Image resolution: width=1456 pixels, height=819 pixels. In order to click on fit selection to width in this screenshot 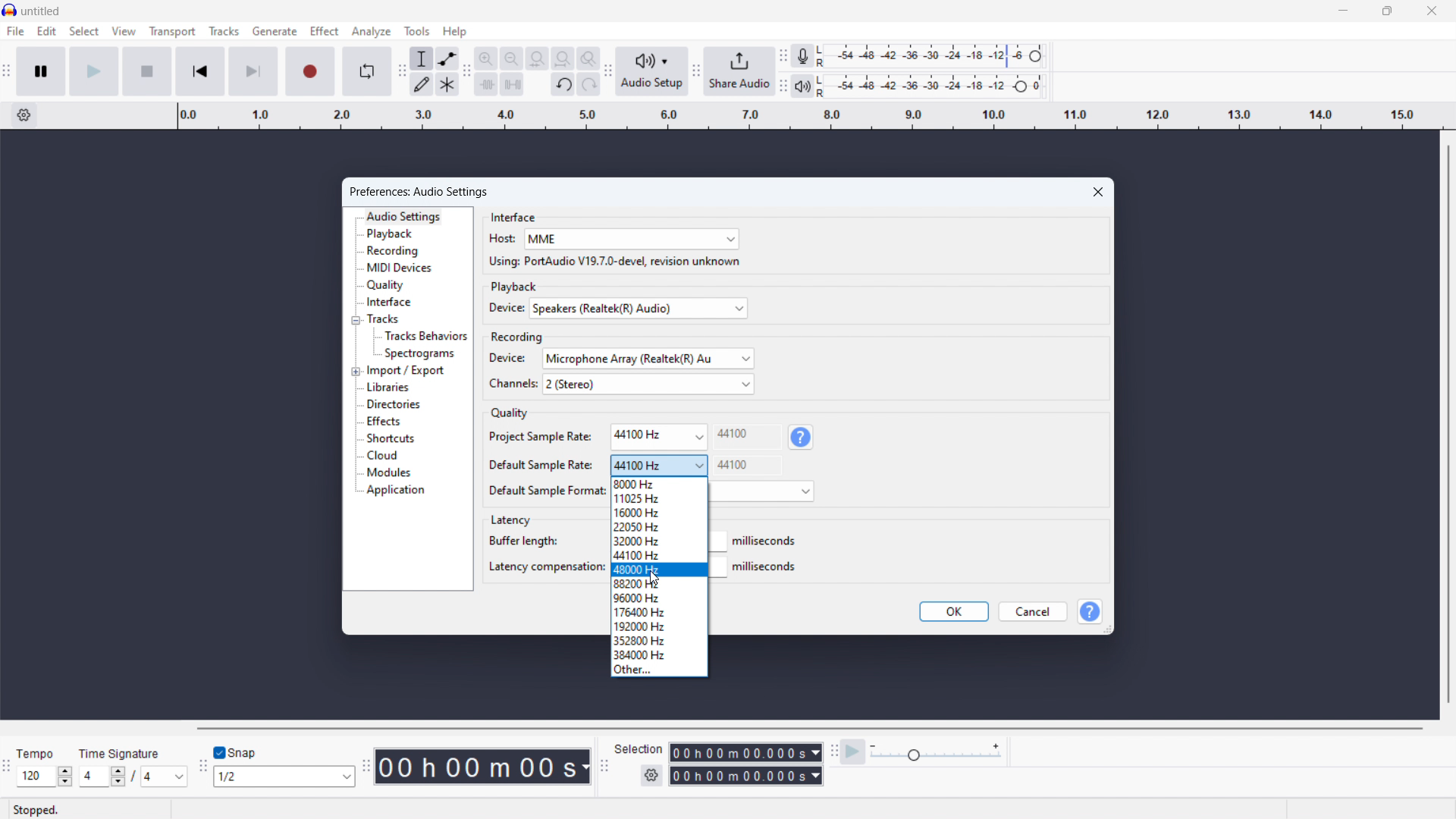, I will do `click(537, 59)`.